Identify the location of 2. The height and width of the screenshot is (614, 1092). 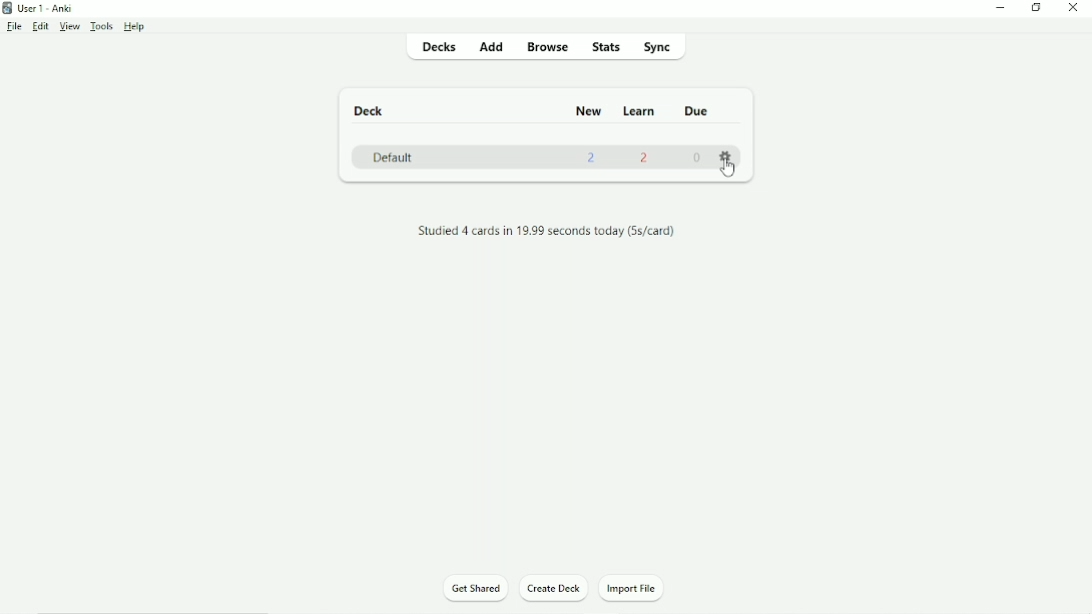
(592, 160).